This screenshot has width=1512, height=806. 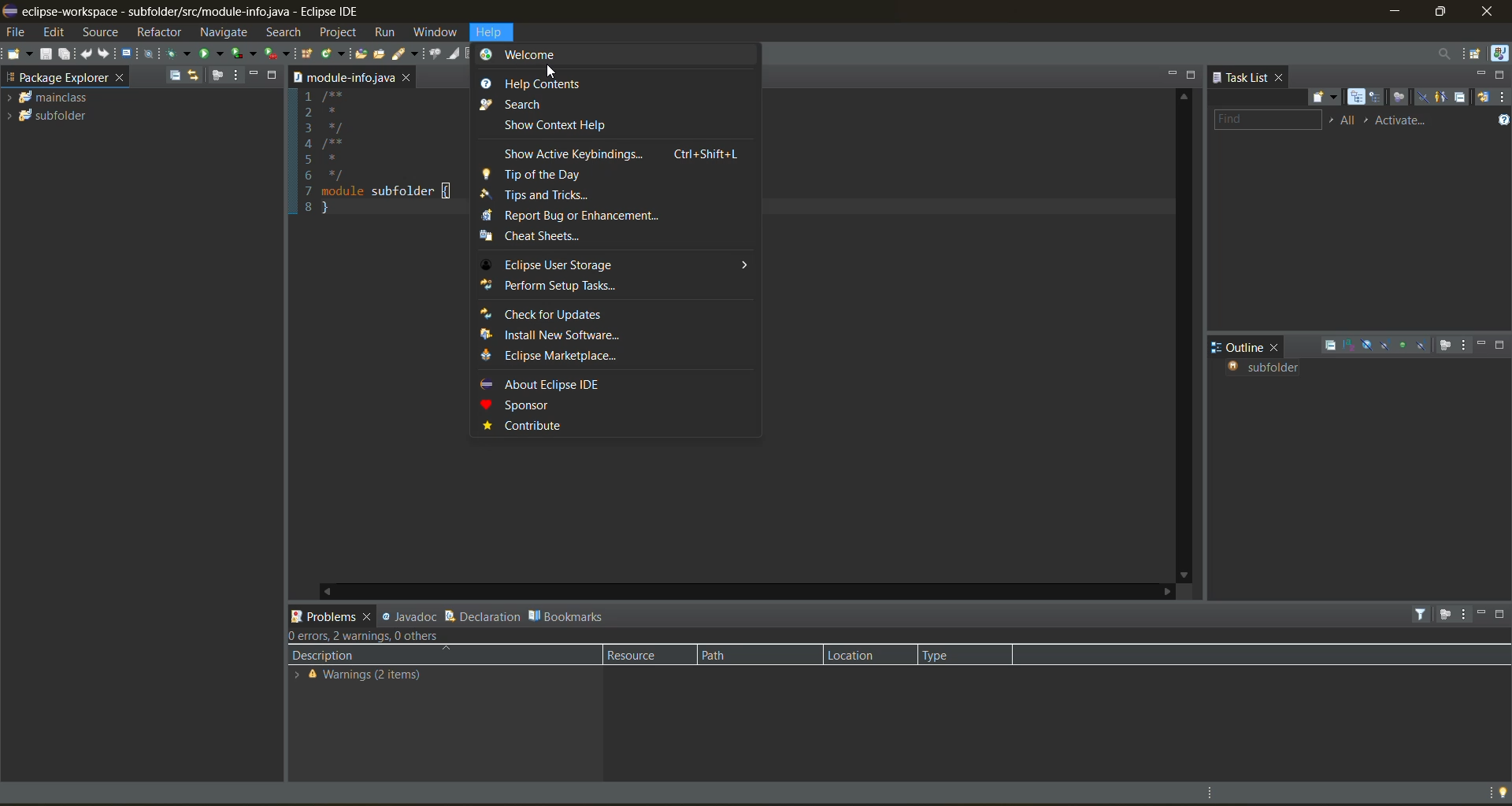 I want to click on show active tasks, so click(x=1369, y=120).